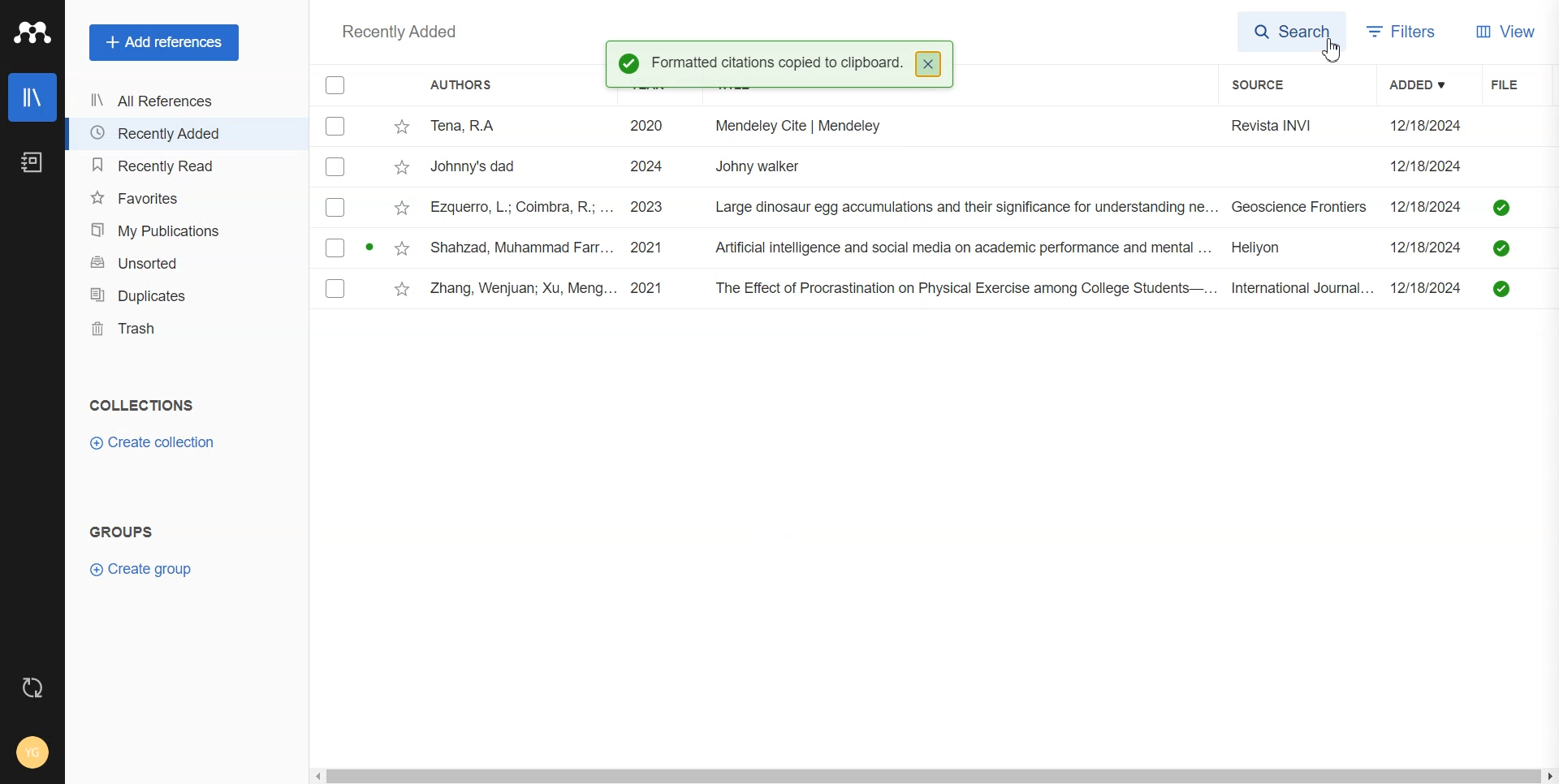 Image resolution: width=1559 pixels, height=784 pixels. What do you see at coordinates (1501, 250) in the screenshot?
I see `saved` at bounding box center [1501, 250].